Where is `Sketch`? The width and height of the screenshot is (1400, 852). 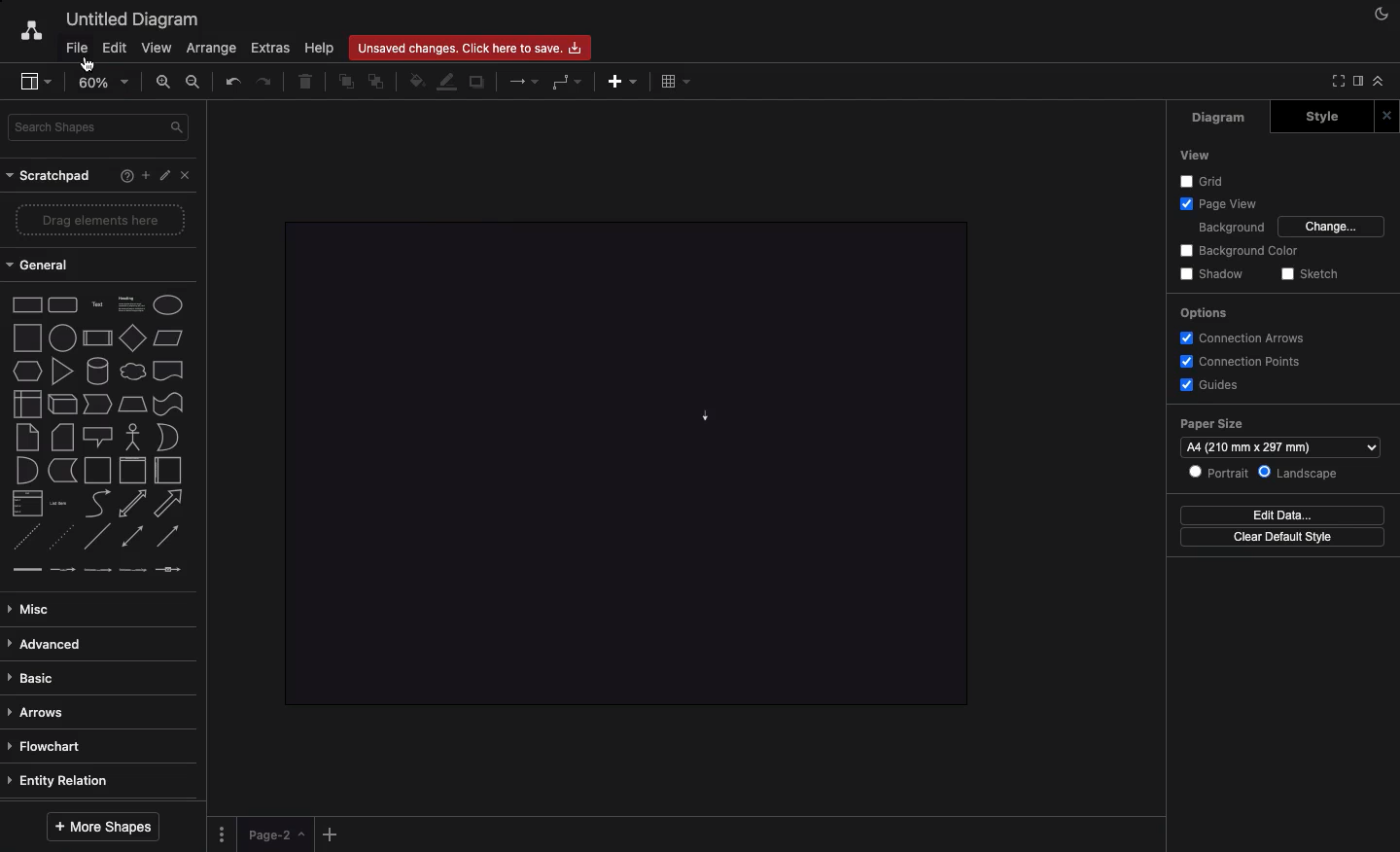 Sketch is located at coordinates (1308, 275).